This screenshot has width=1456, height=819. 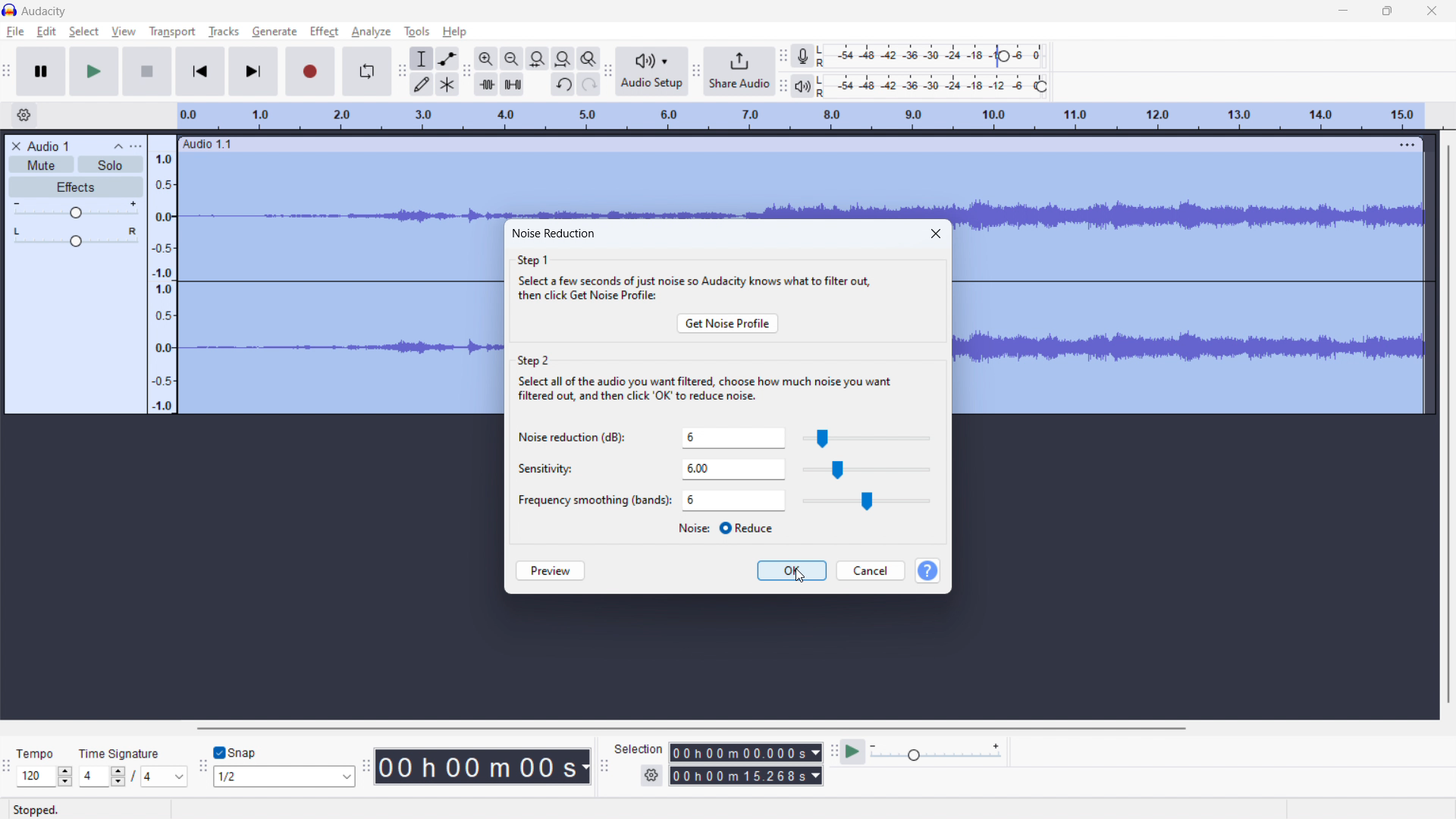 I want to click on toggle zoom, so click(x=588, y=58).